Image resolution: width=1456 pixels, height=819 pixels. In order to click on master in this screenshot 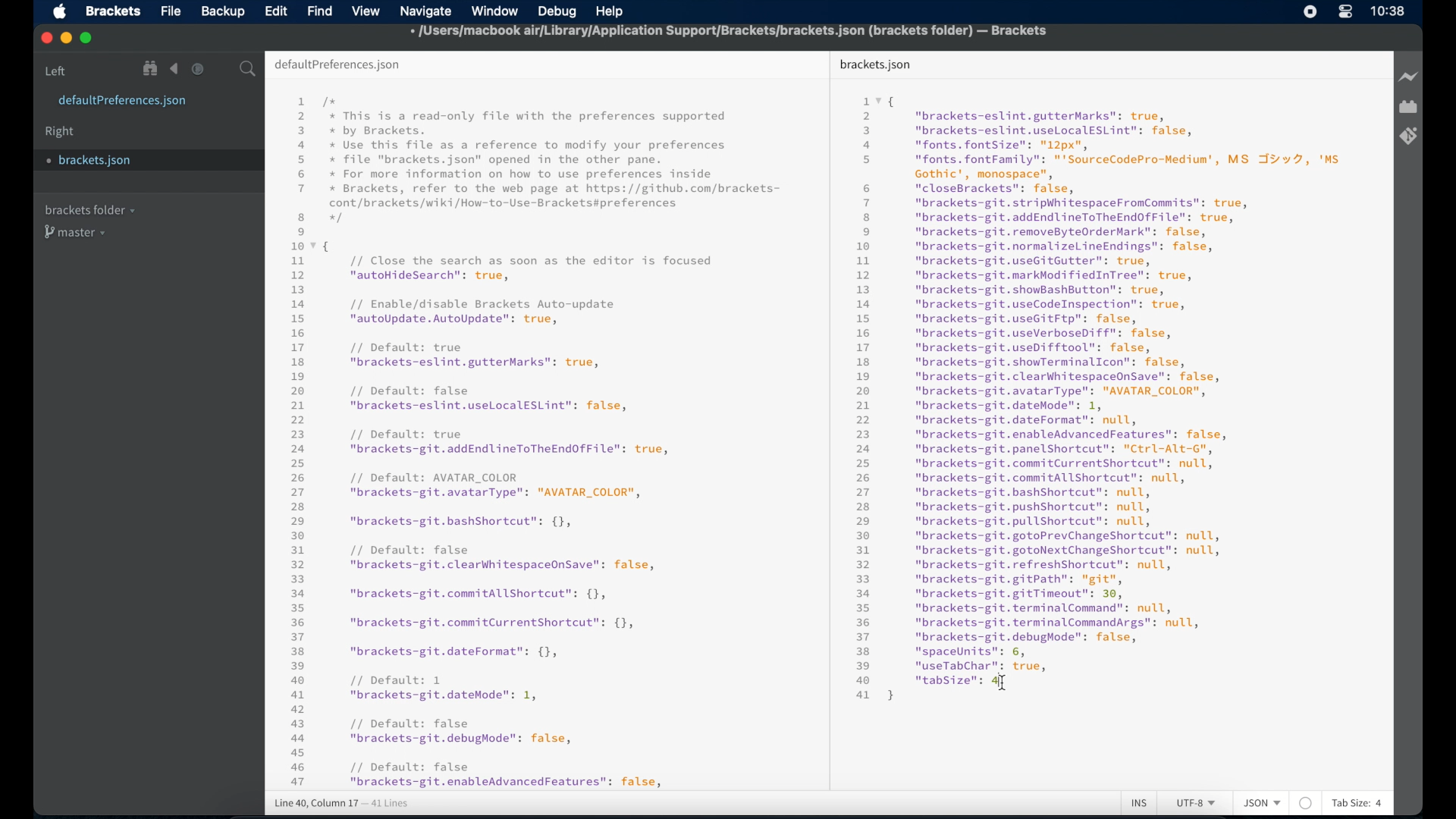, I will do `click(77, 232)`.